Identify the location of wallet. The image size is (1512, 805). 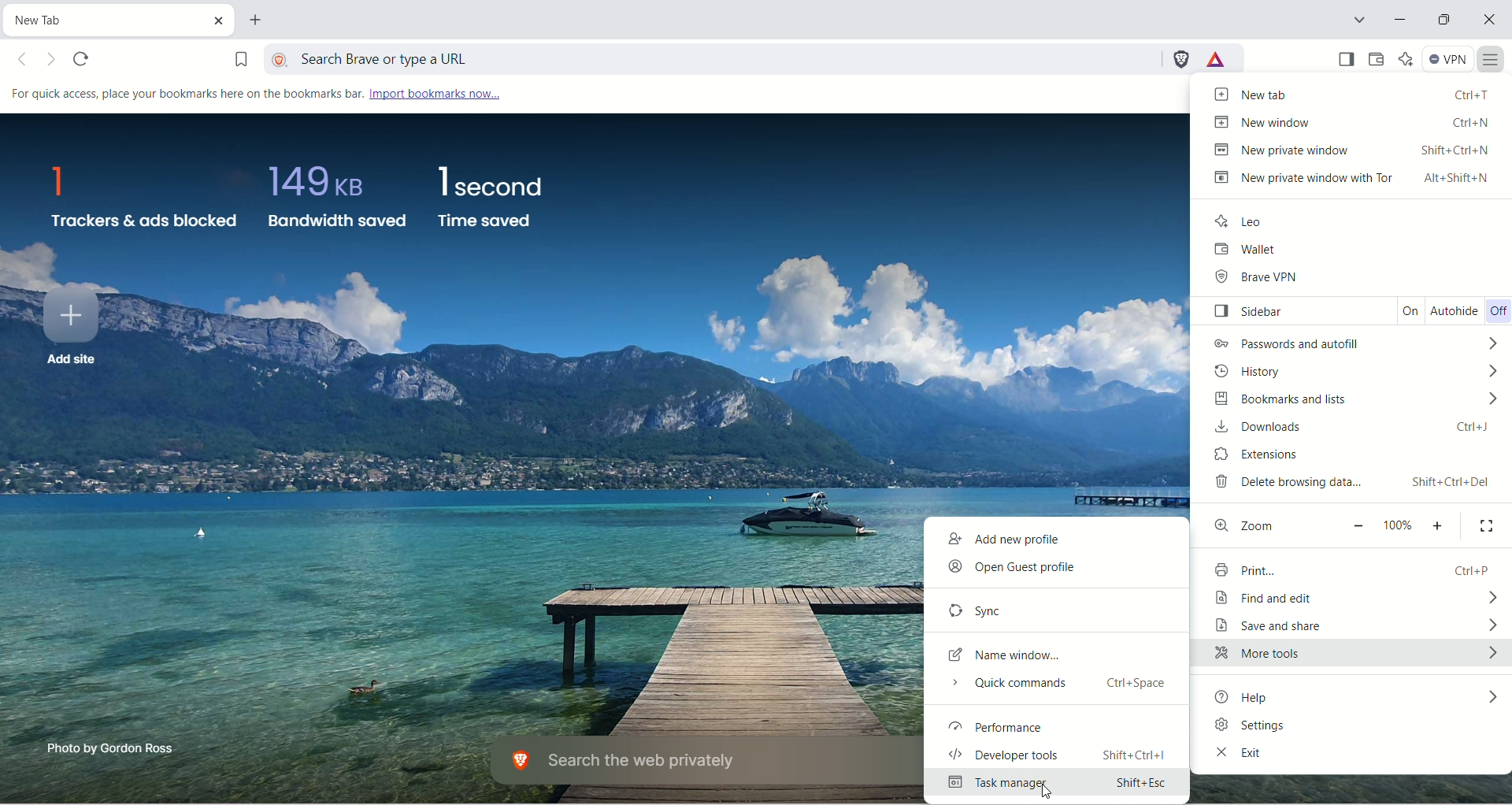
(1344, 250).